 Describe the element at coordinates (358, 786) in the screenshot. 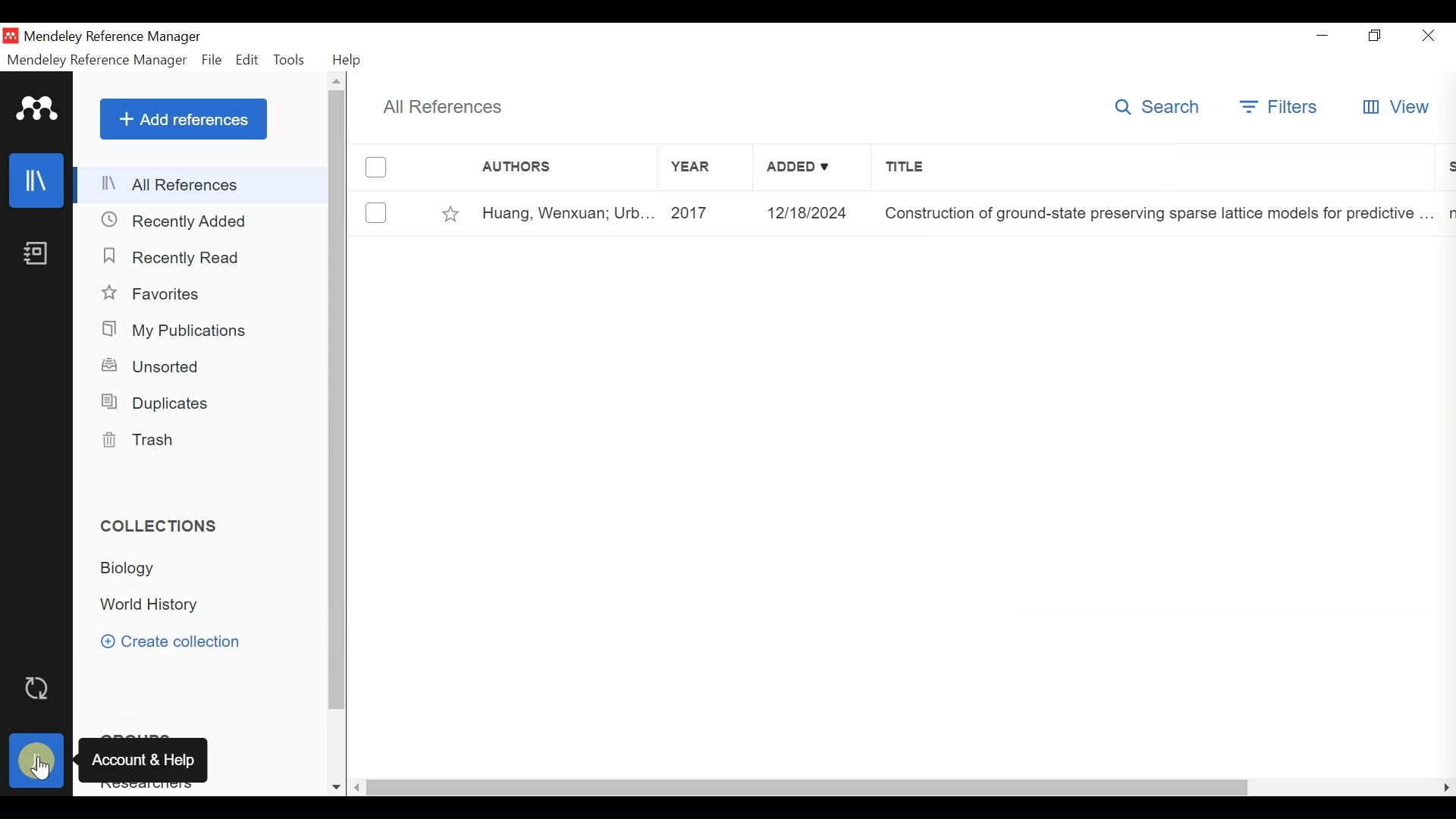

I see `Scroll Left` at that location.